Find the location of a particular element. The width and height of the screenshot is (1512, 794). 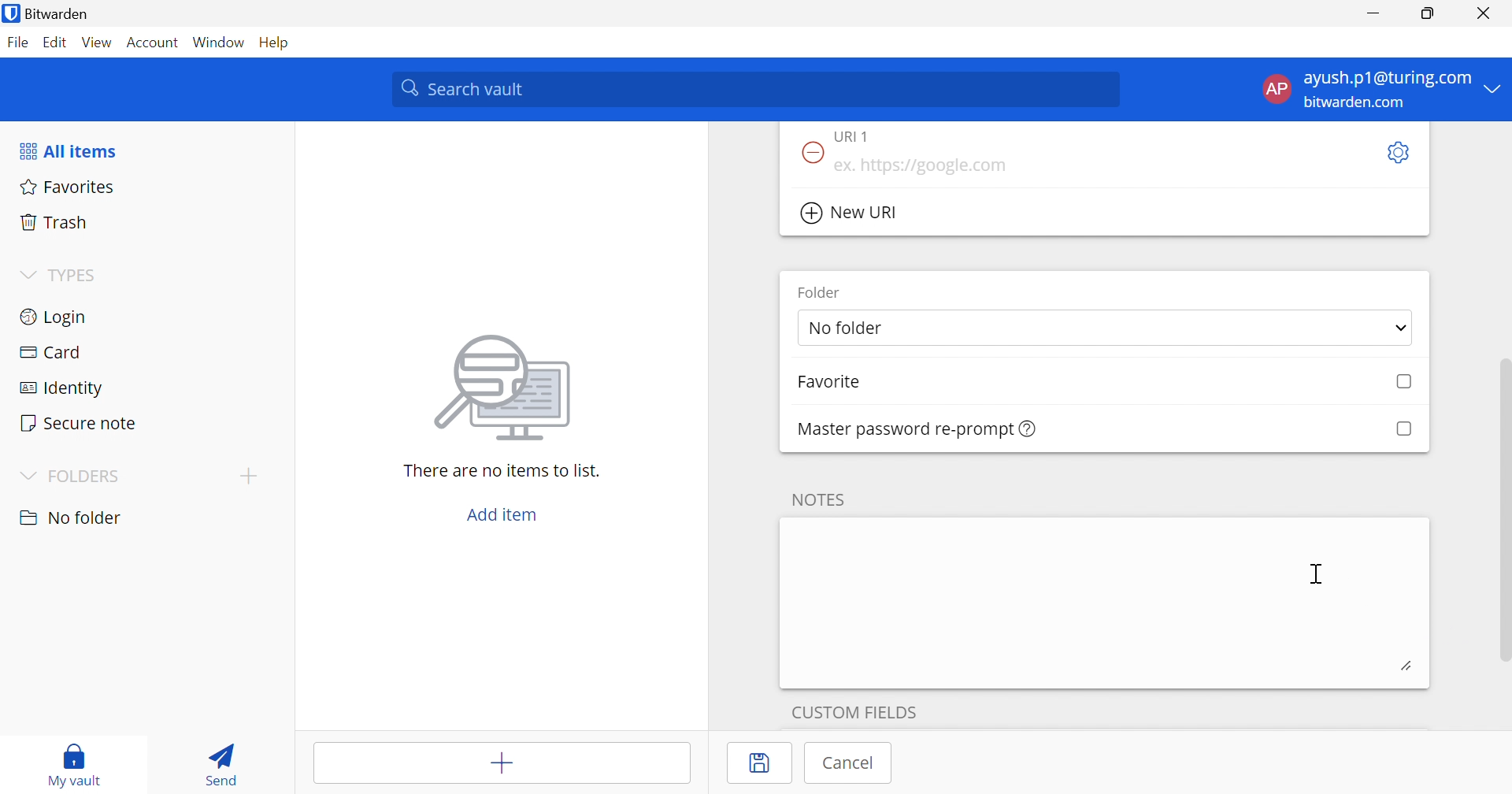

NOTES is located at coordinates (816, 499).